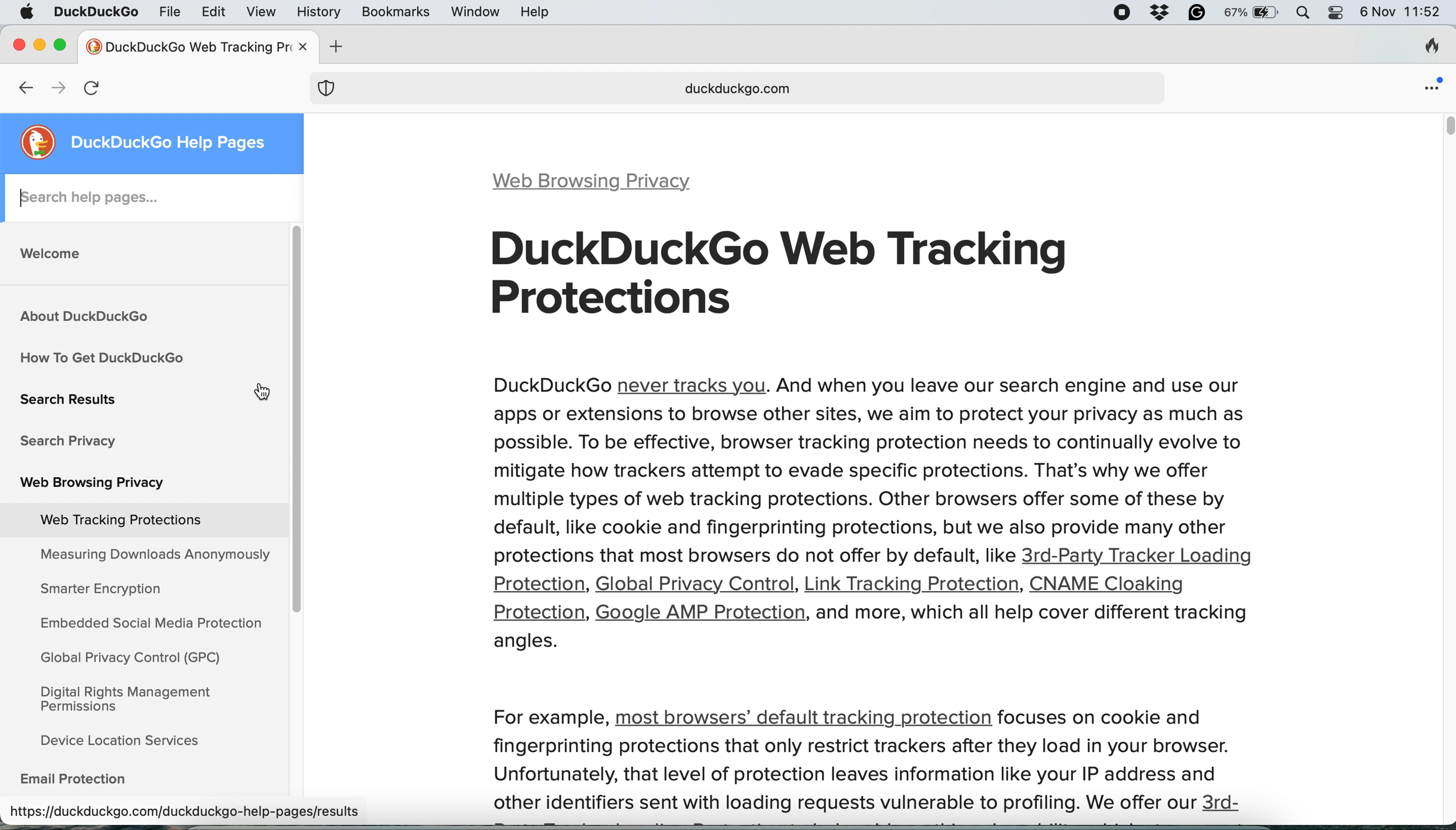 The image size is (1456, 830). What do you see at coordinates (1254, 13) in the screenshot?
I see `battery` at bounding box center [1254, 13].